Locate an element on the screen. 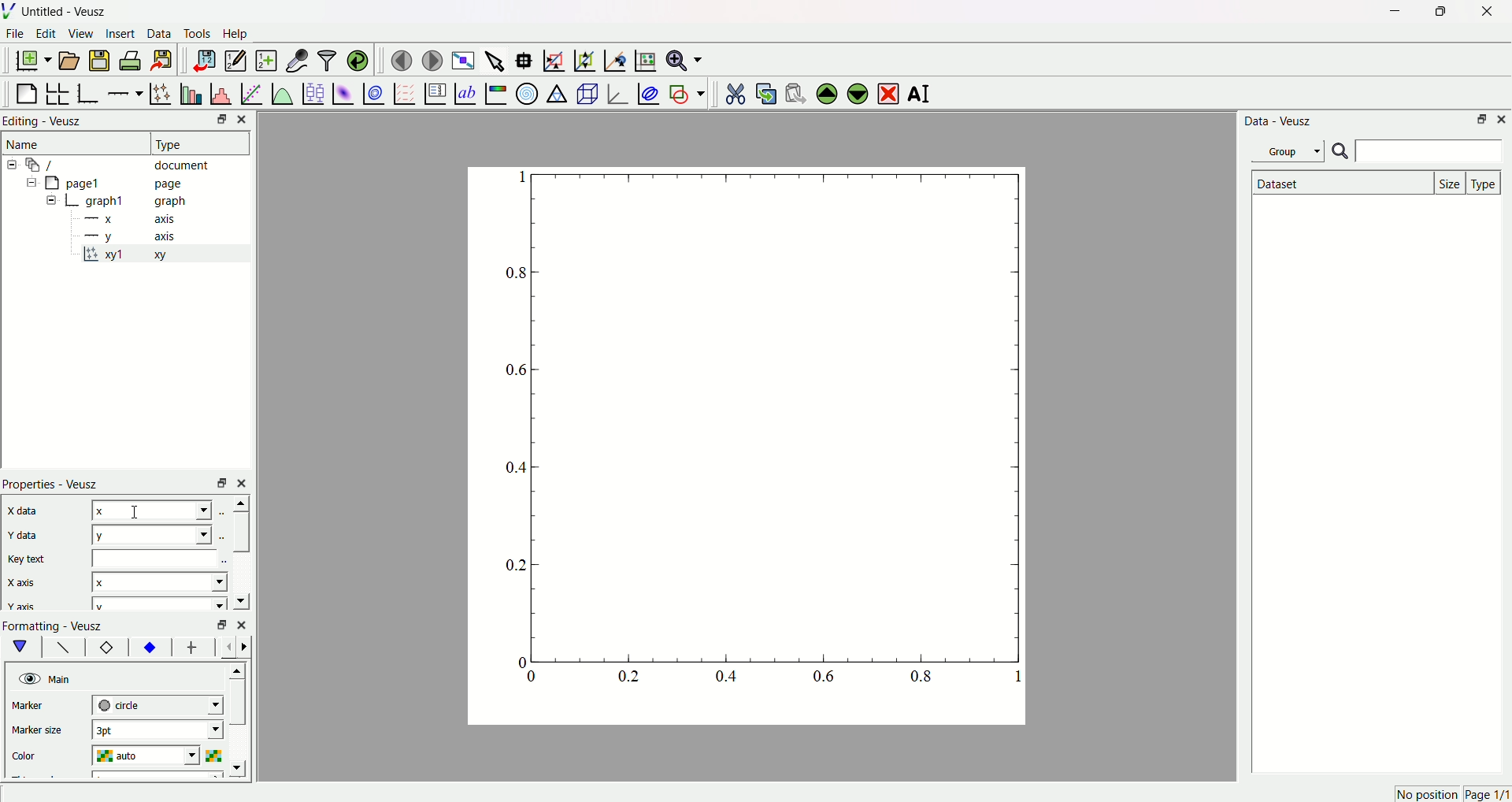  expand is located at coordinates (52, 201).